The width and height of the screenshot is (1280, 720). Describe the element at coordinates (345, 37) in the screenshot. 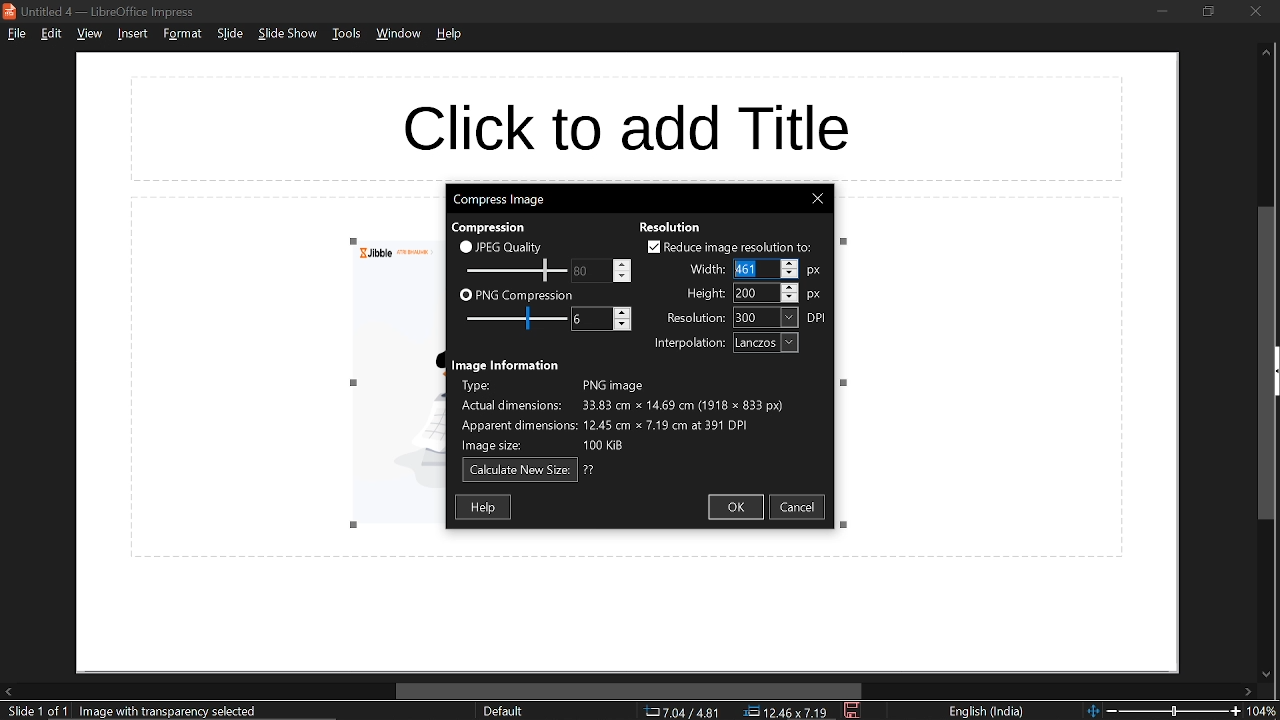

I see `tools` at that location.